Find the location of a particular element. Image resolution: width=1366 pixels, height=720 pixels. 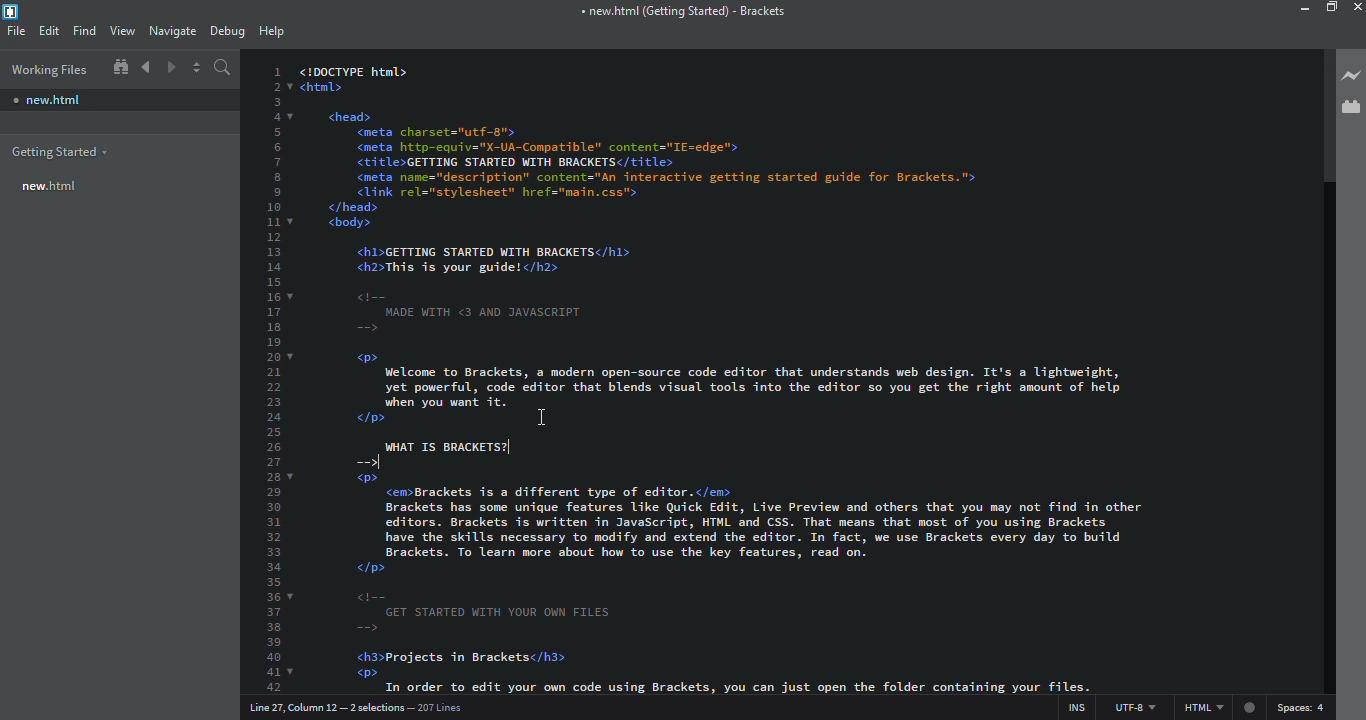

live preview is located at coordinates (1349, 76).